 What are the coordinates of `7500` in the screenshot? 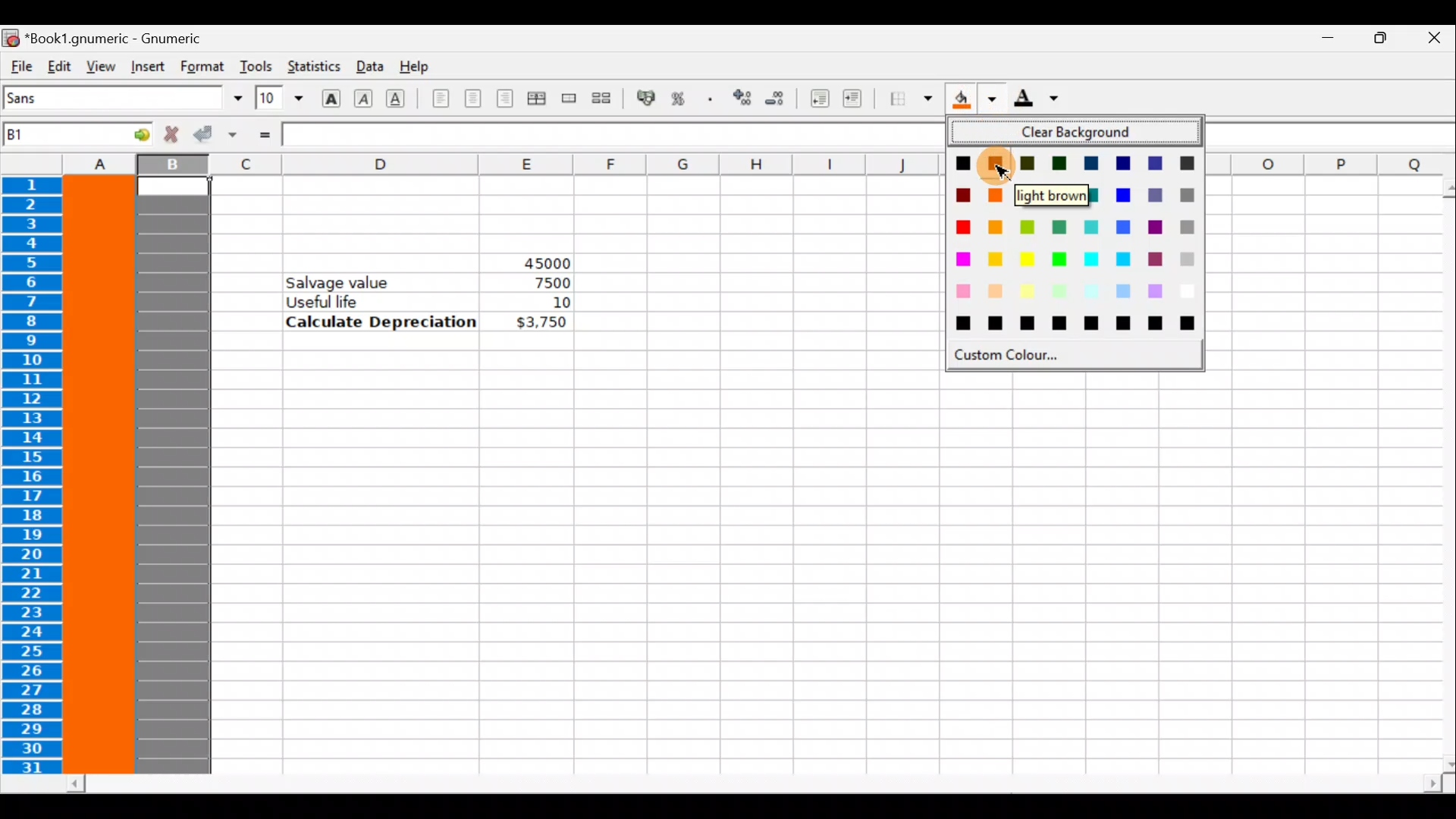 It's located at (548, 283).